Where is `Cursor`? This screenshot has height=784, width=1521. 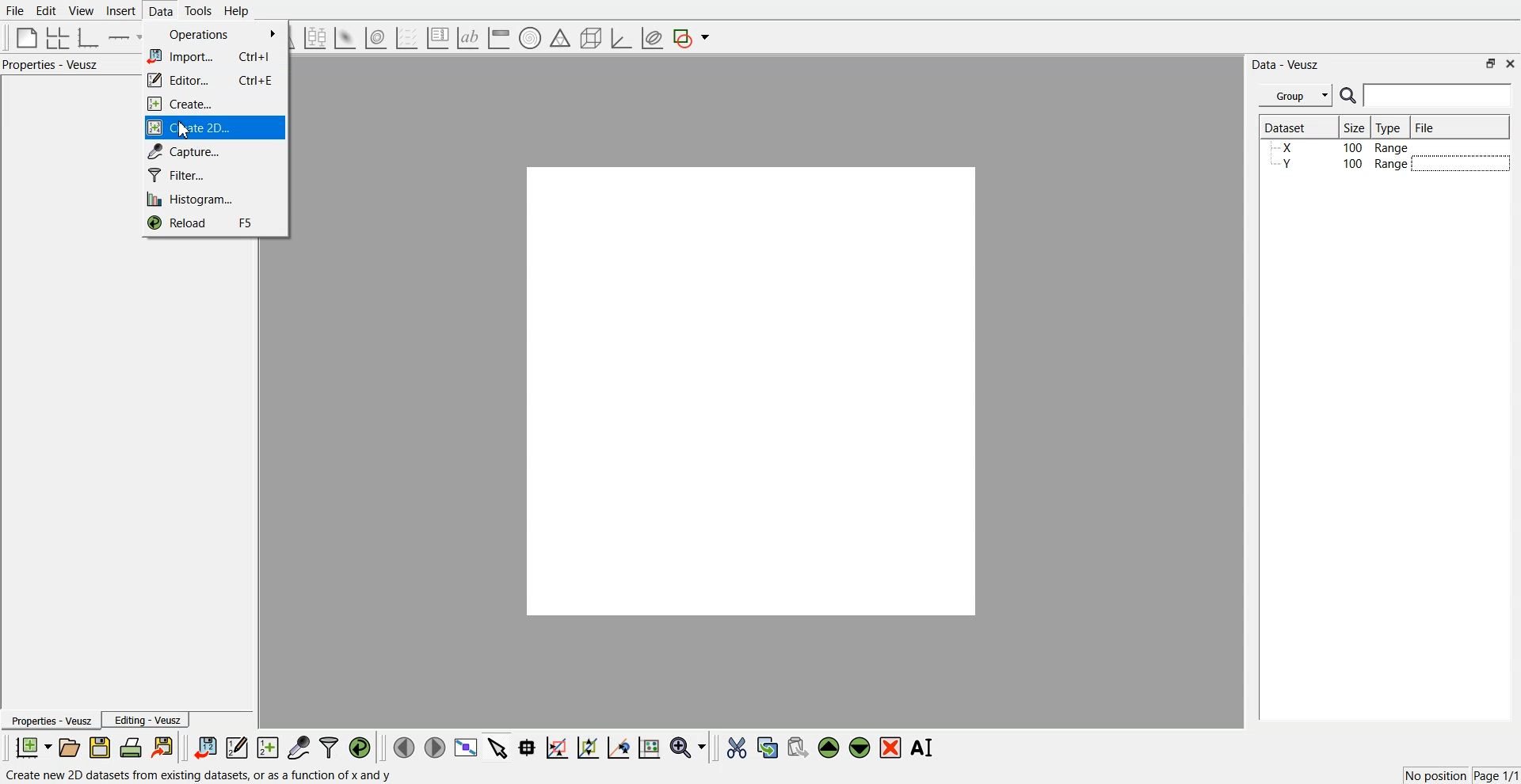 Cursor is located at coordinates (186, 130).